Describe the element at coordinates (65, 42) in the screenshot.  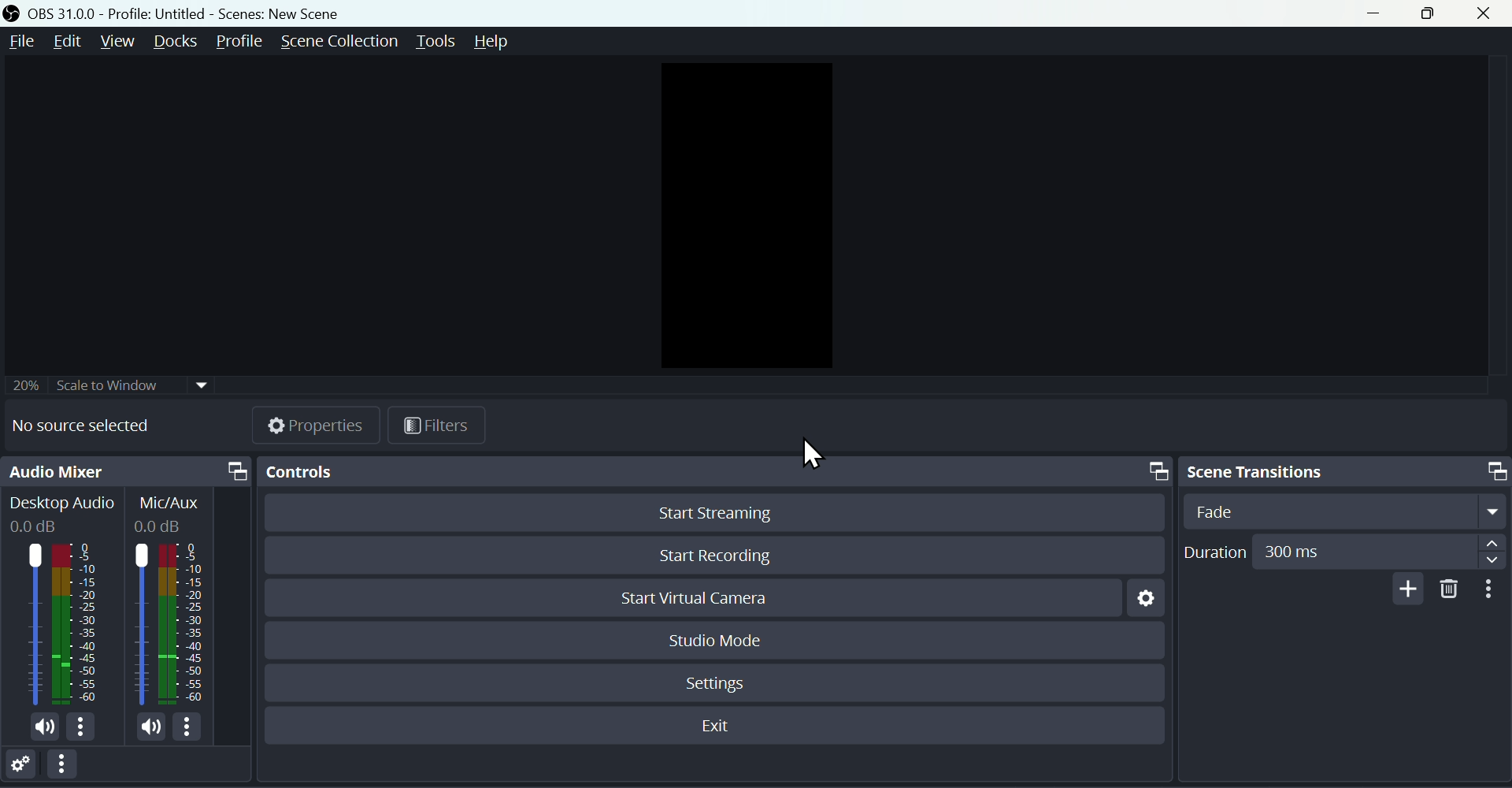
I see `Edit` at that location.